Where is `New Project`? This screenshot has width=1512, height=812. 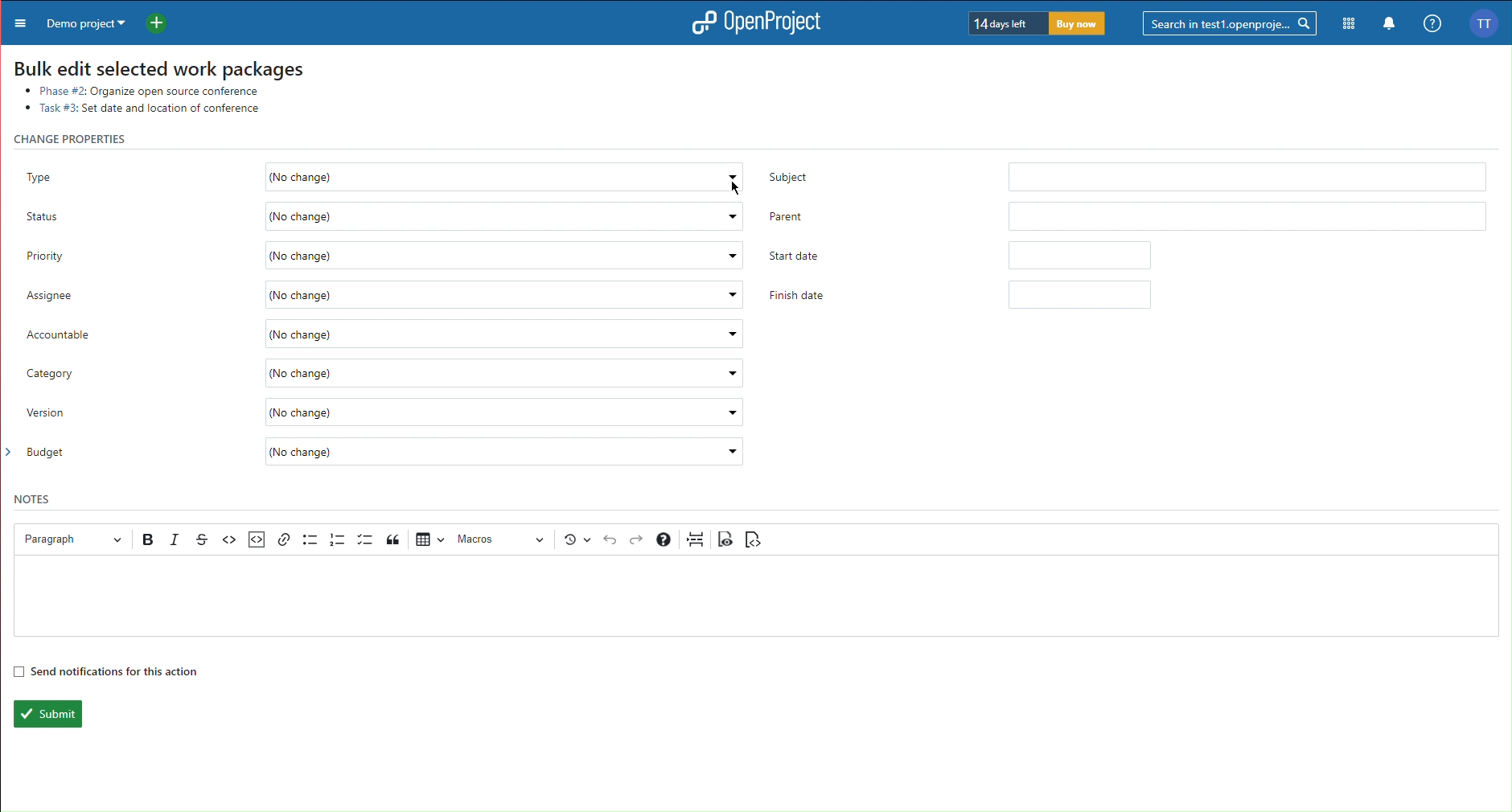
New Project is located at coordinates (162, 21).